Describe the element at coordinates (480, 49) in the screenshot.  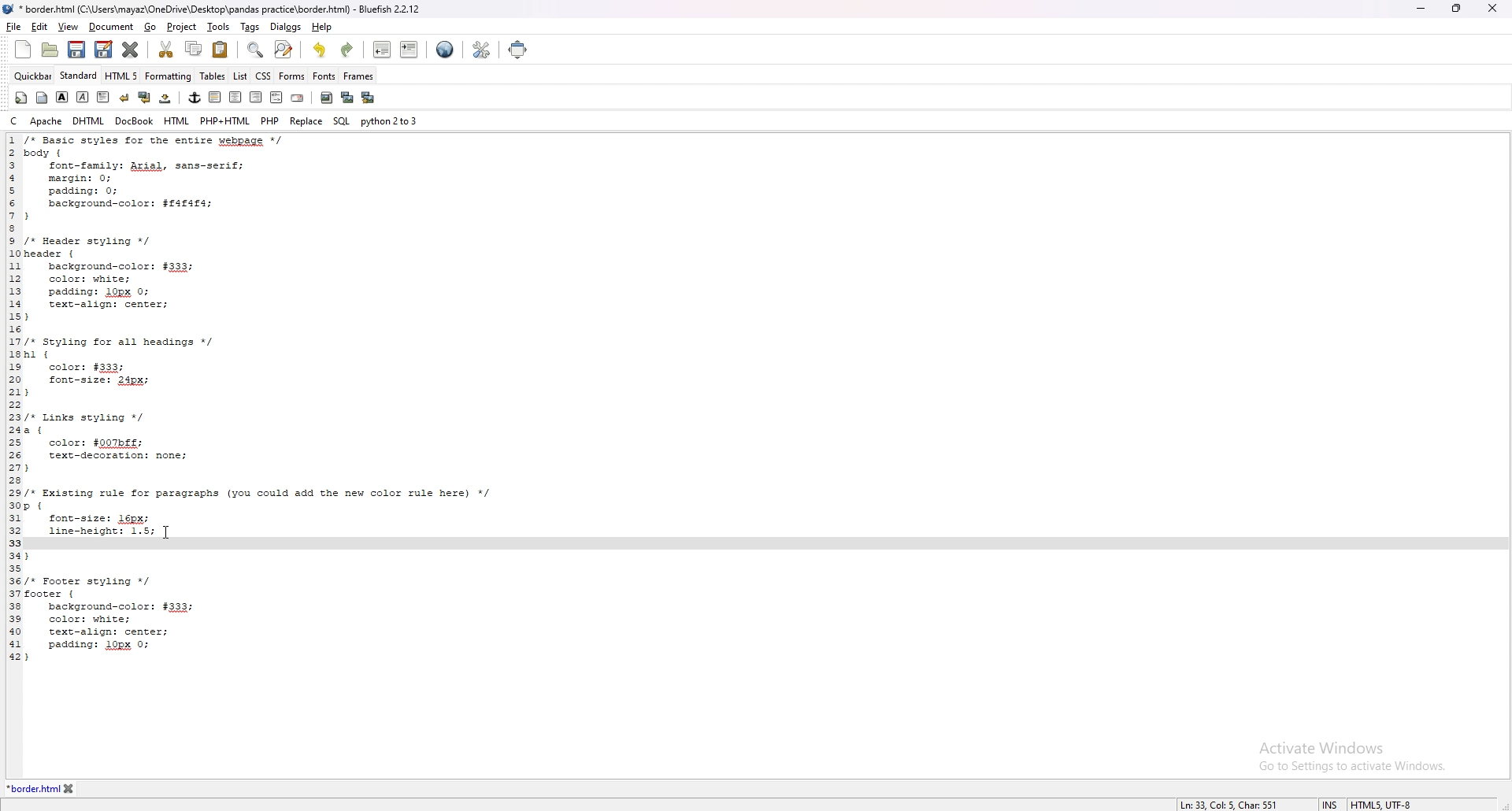
I see `edit preference` at that location.